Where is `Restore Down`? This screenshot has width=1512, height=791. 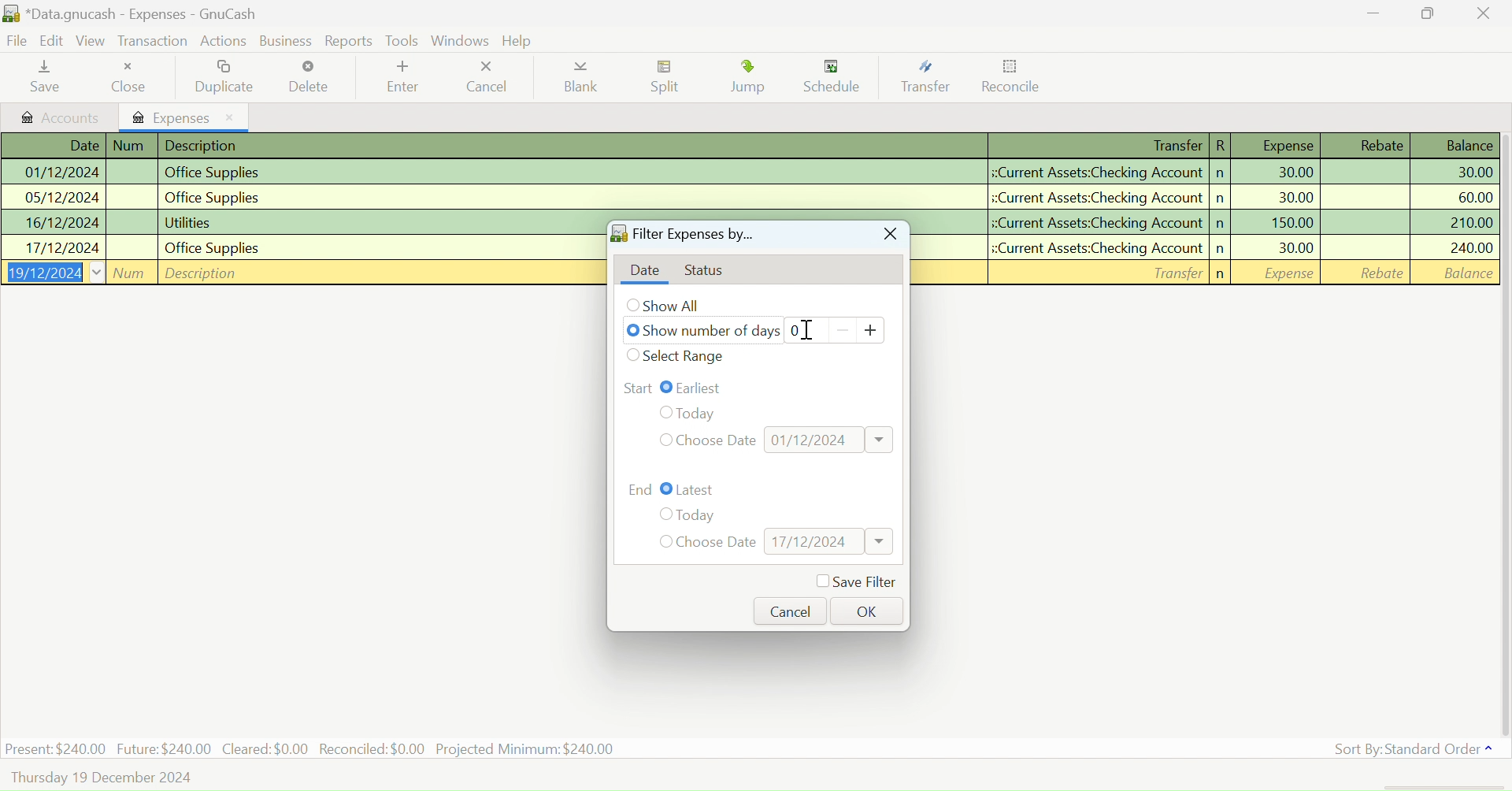 Restore Down is located at coordinates (1373, 13).